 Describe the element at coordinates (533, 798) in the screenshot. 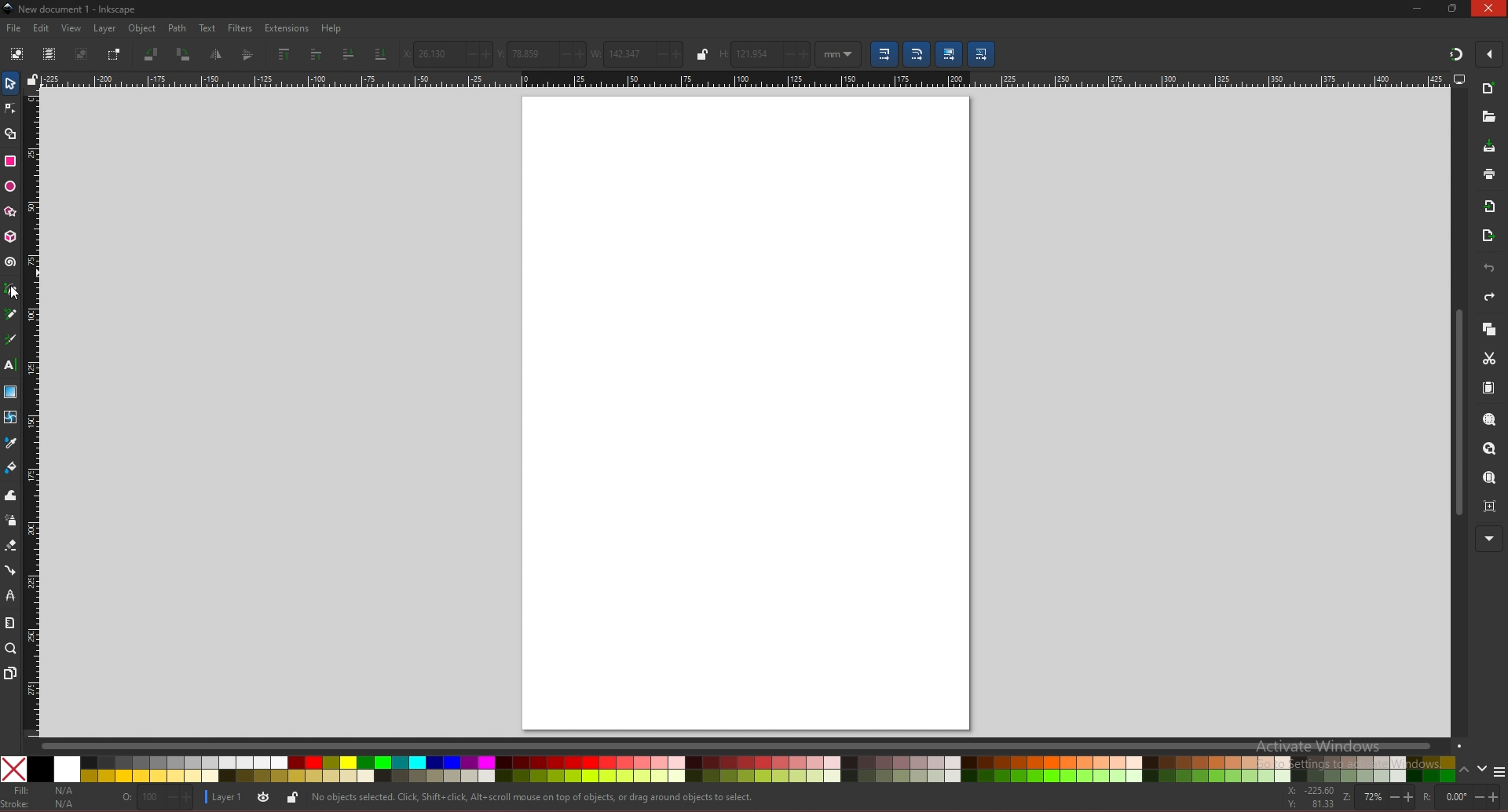

I see `info` at that location.